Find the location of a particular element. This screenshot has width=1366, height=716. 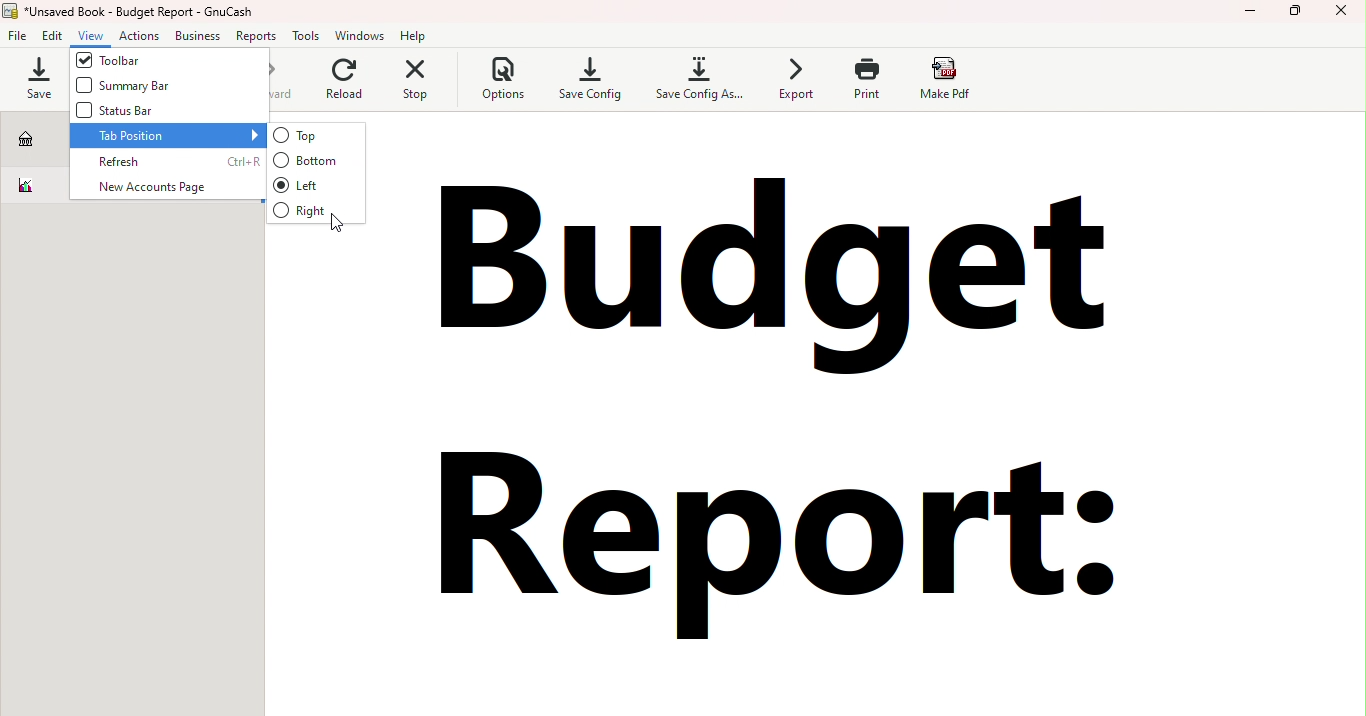

Export is located at coordinates (792, 81).